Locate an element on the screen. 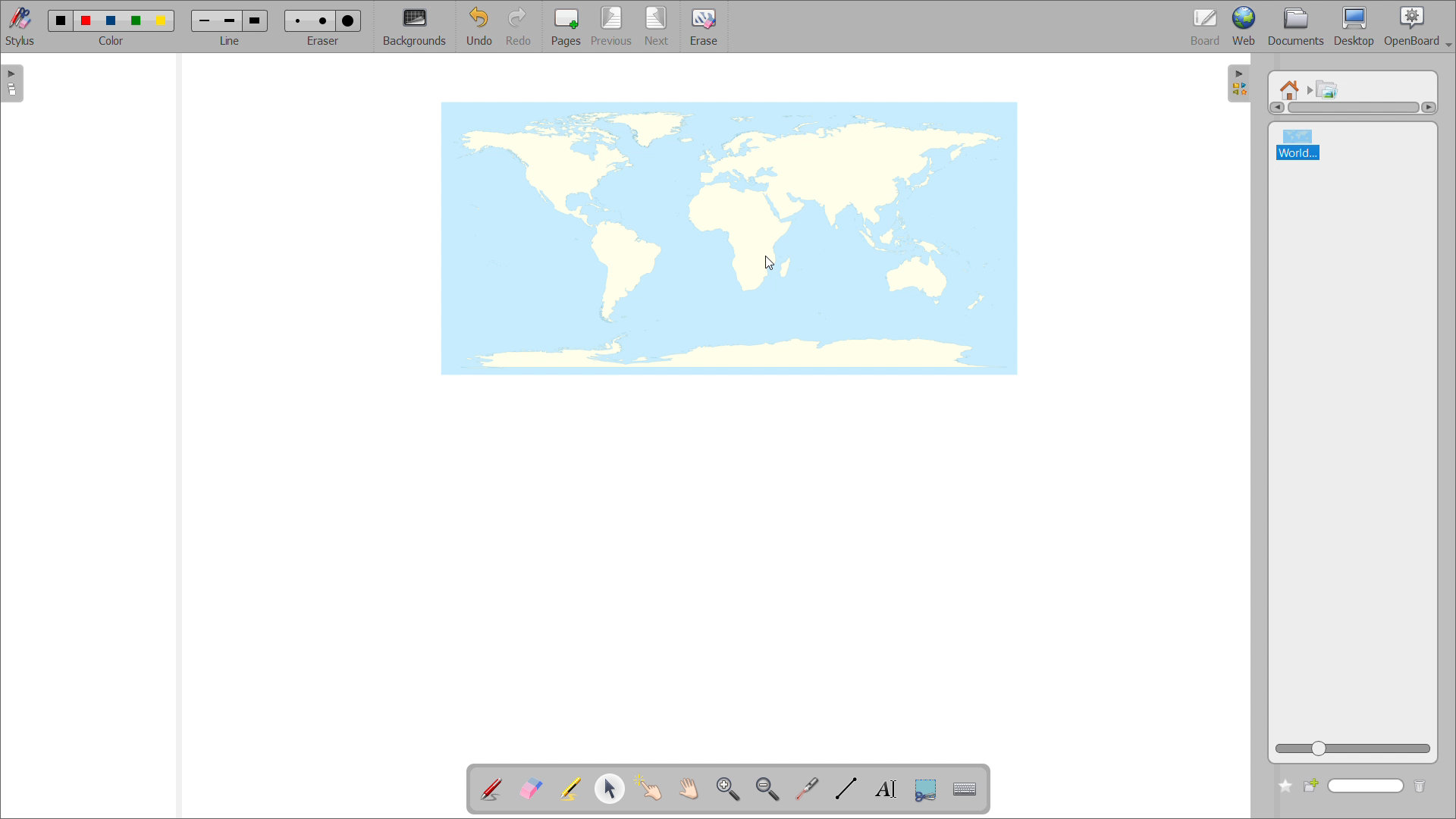 The image size is (1456, 819). zoom view slider is located at coordinates (1354, 748).